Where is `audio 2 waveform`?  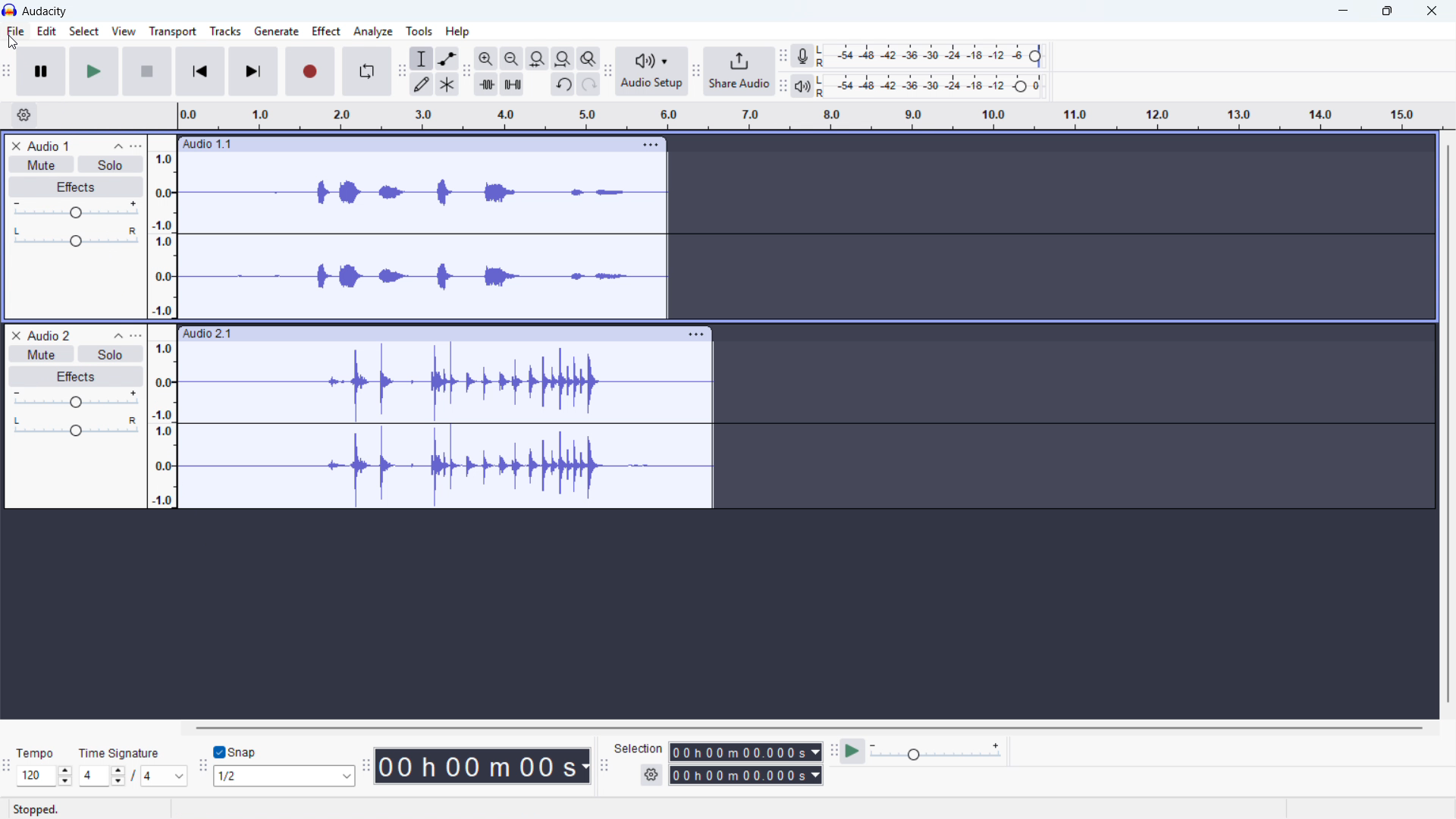
audio 2 waveform is located at coordinates (447, 426).